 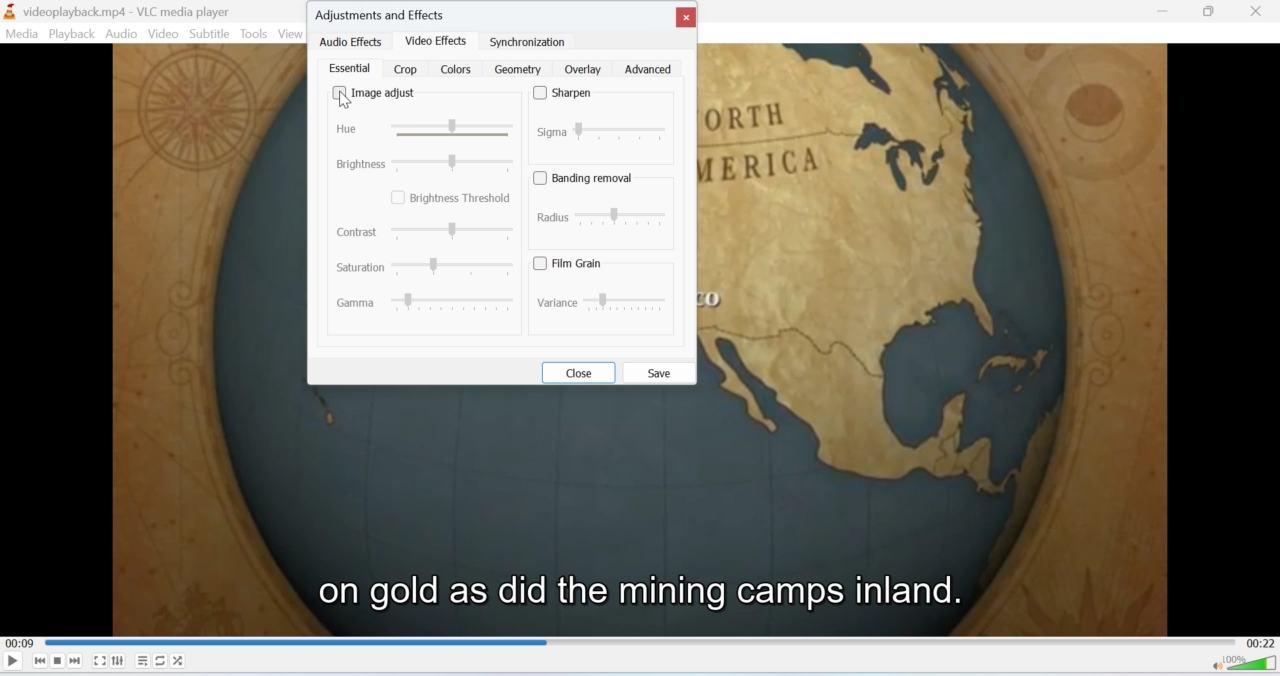 I want to click on 00:09, so click(x=18, y=642).